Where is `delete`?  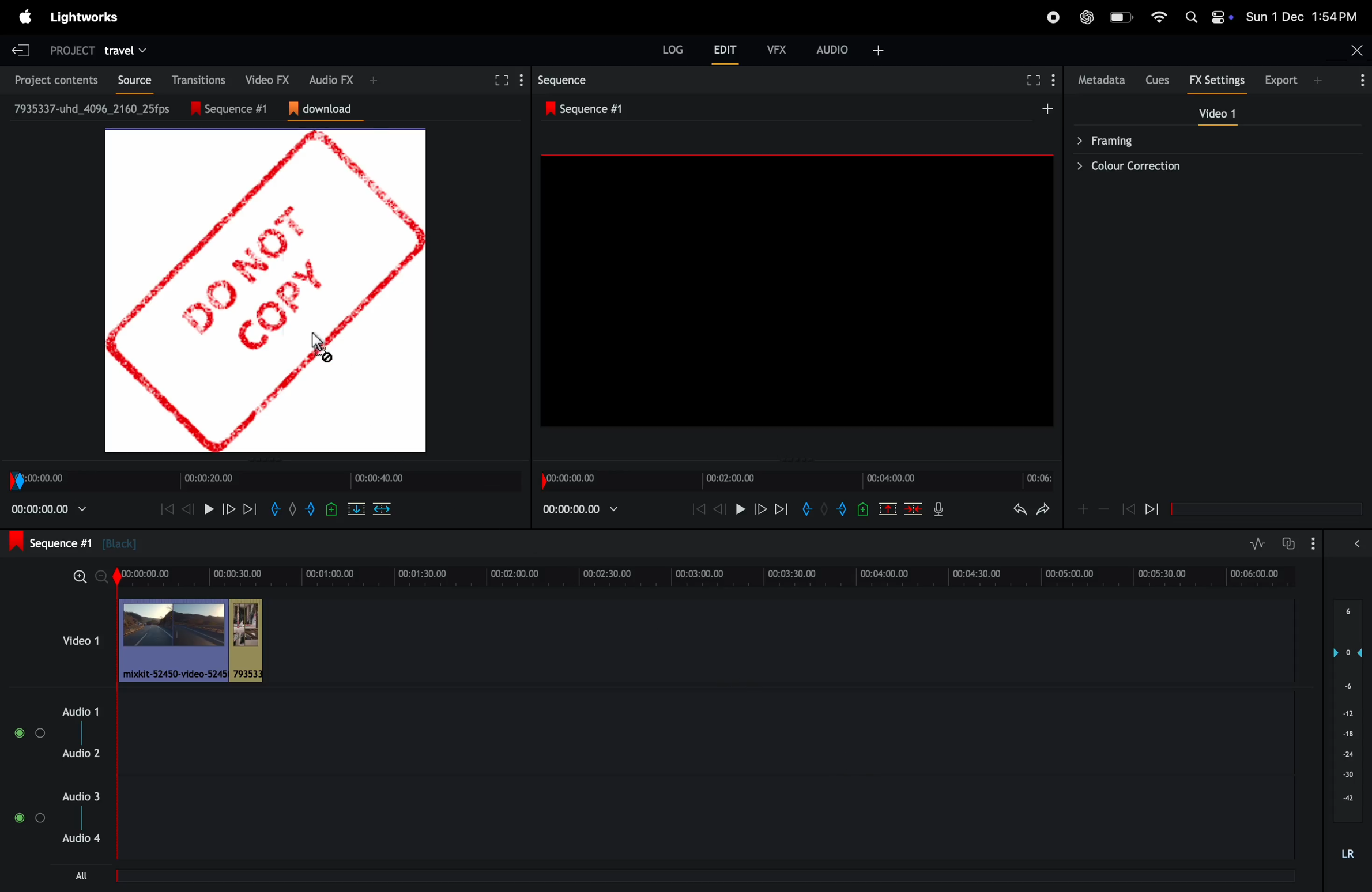
delete is located at coordinates (382, 509).